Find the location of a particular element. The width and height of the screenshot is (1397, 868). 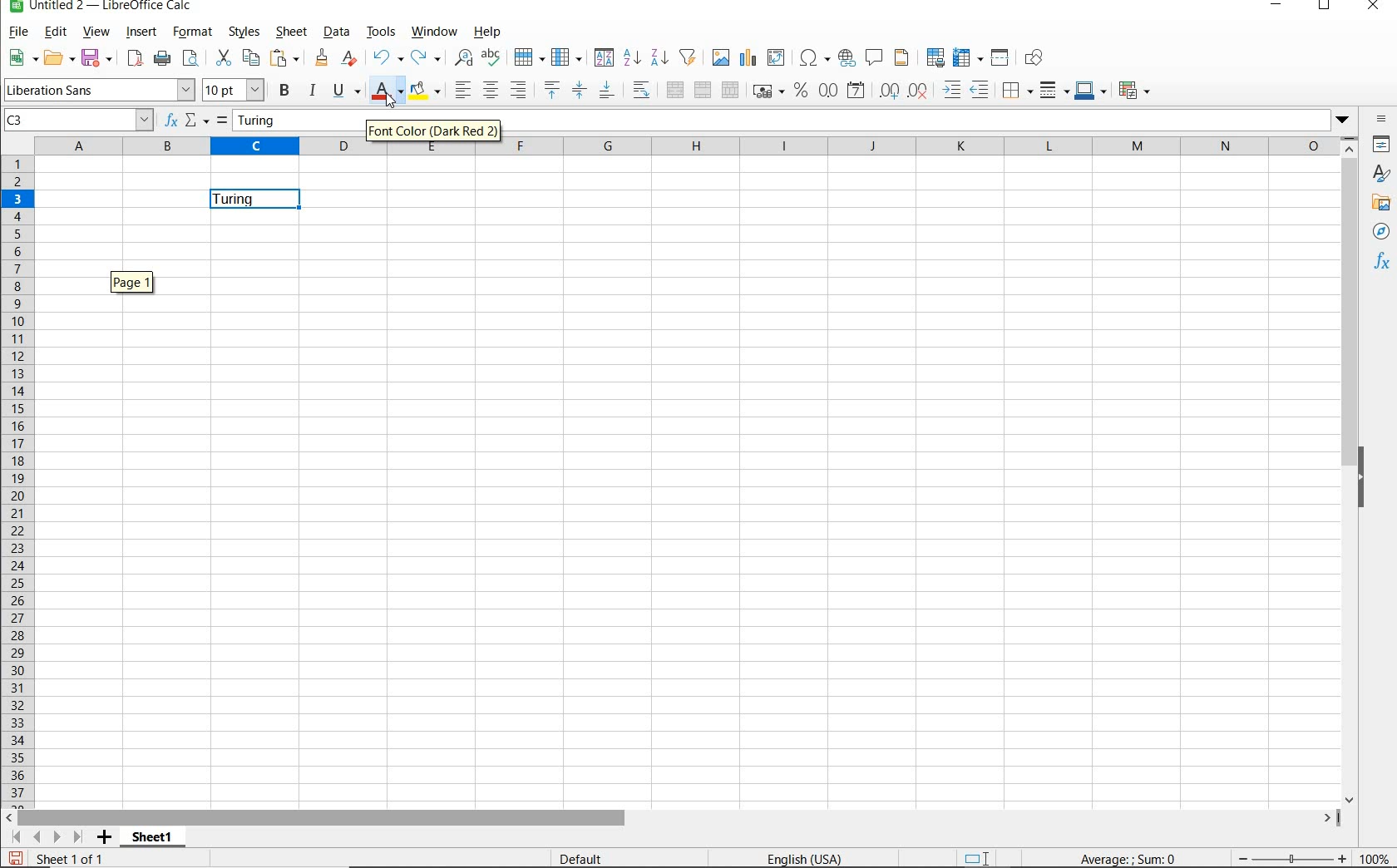

PROPERTIES is located at coordinates (1382, 145).